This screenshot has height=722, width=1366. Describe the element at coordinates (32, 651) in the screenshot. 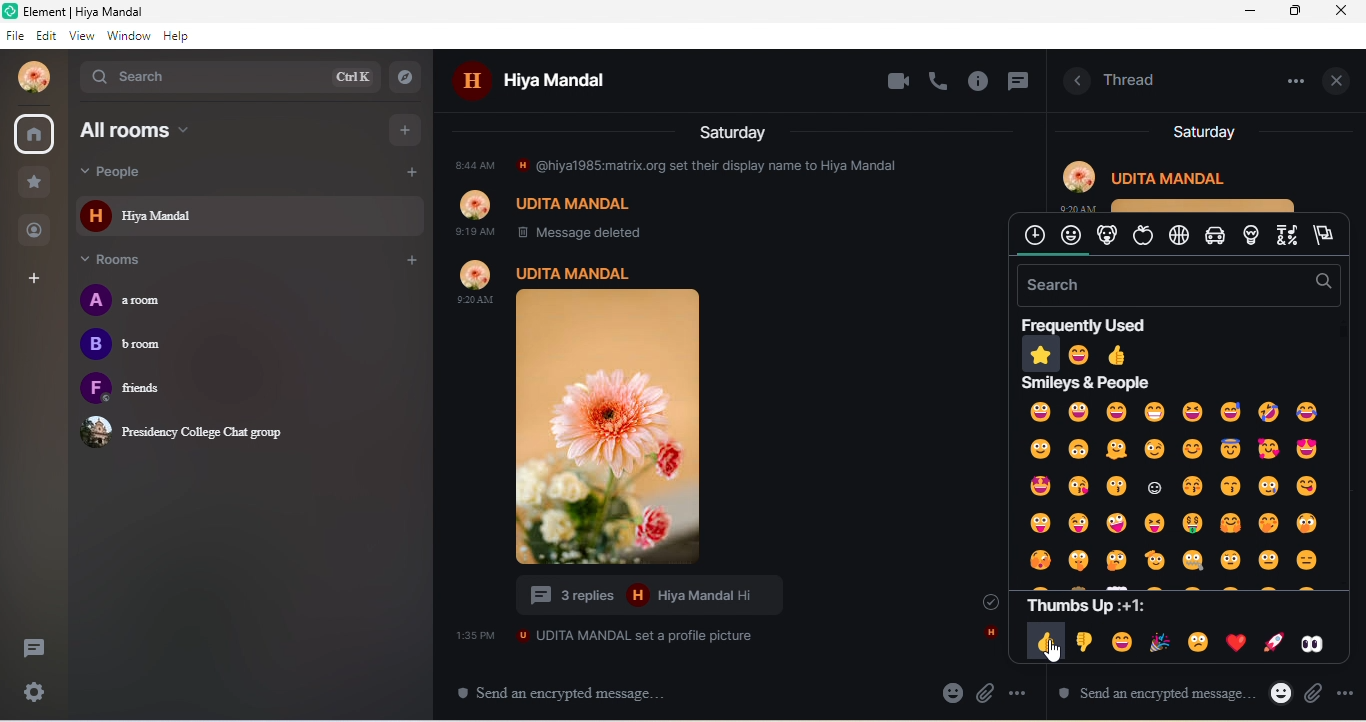

I see `threads` at that location.